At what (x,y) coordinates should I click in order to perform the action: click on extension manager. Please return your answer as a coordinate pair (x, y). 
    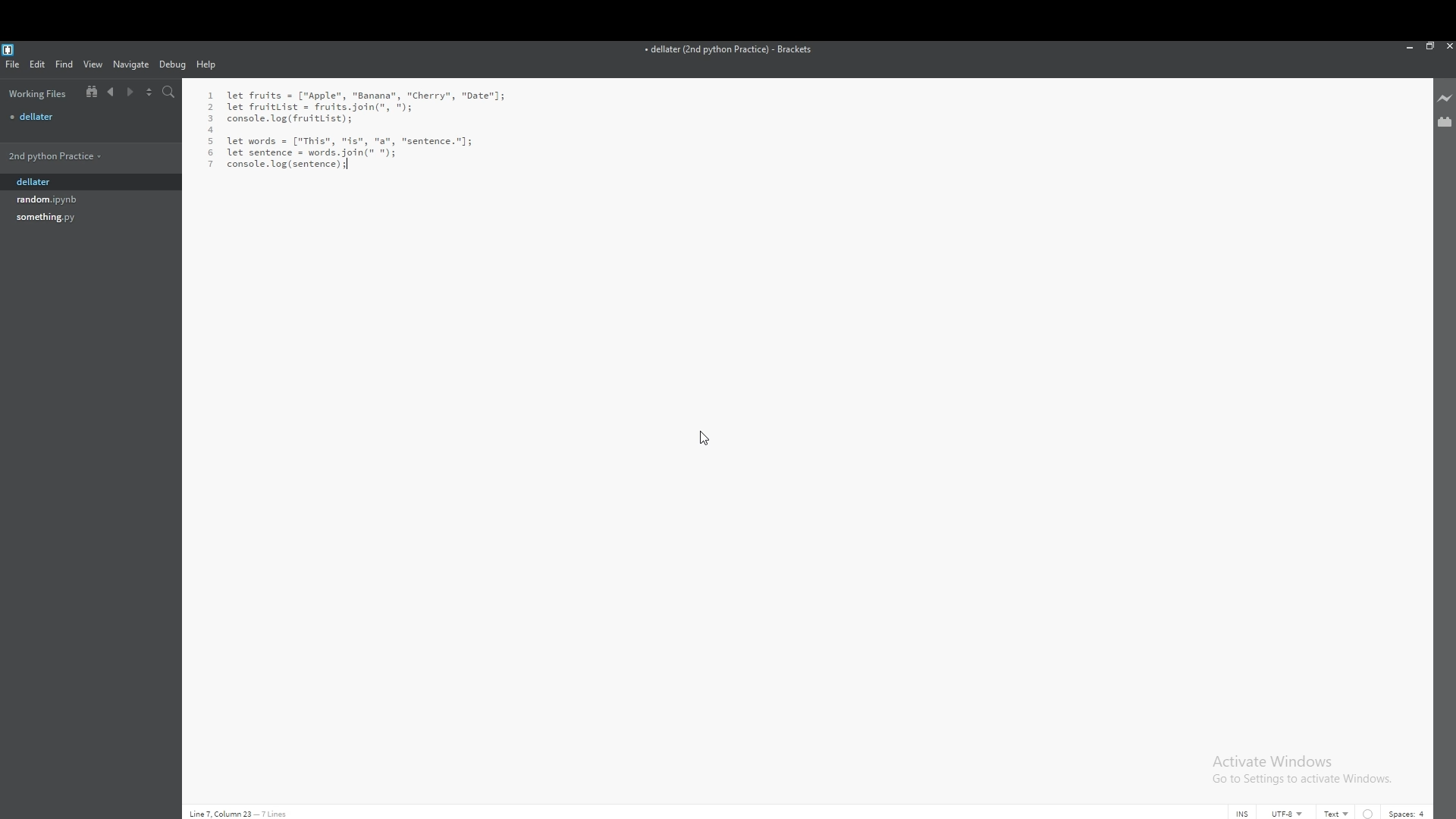
    Looking at the image, I should click on (1444, 121).